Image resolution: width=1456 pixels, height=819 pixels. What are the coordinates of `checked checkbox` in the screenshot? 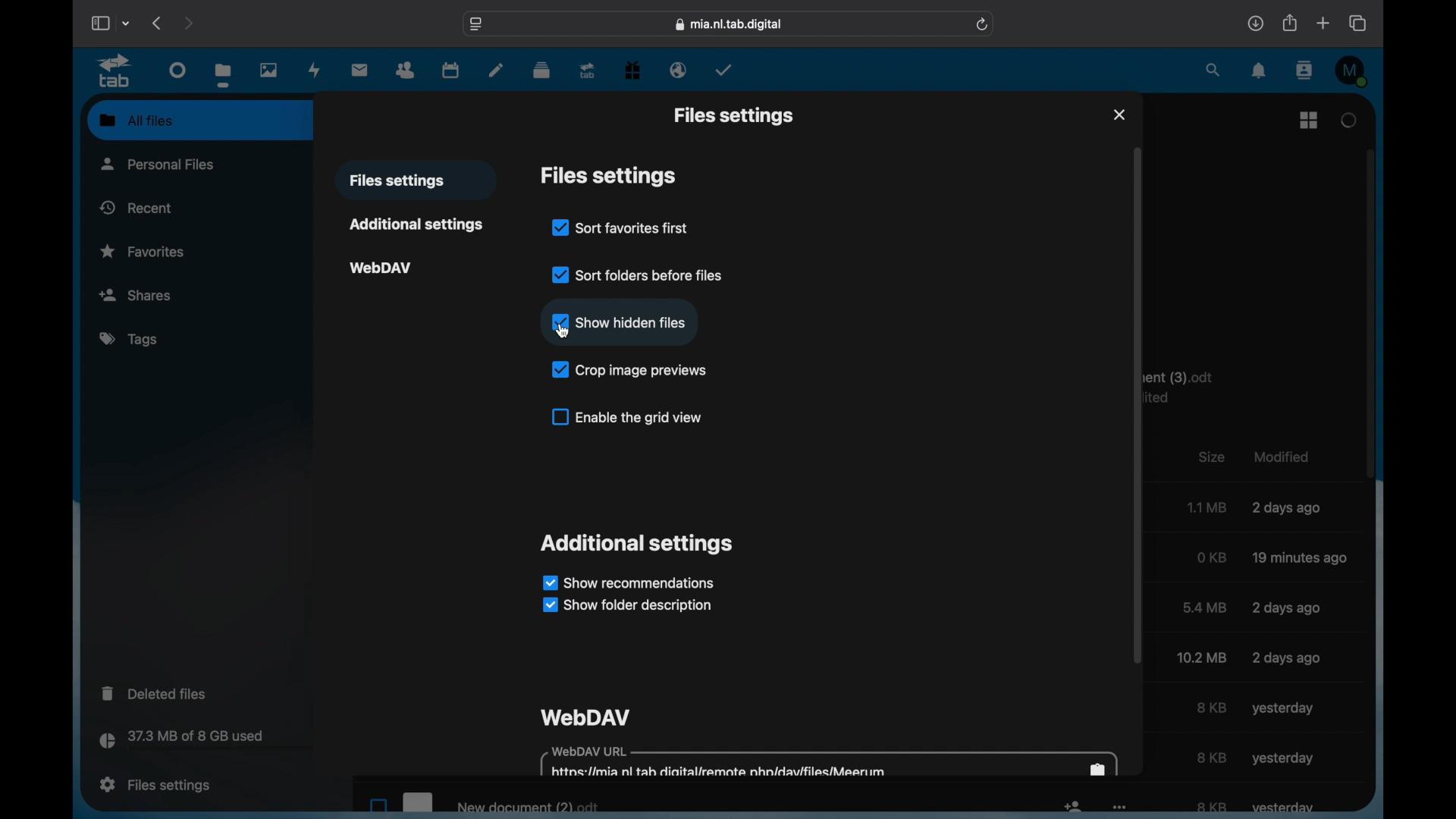 It's located at (560, 322).